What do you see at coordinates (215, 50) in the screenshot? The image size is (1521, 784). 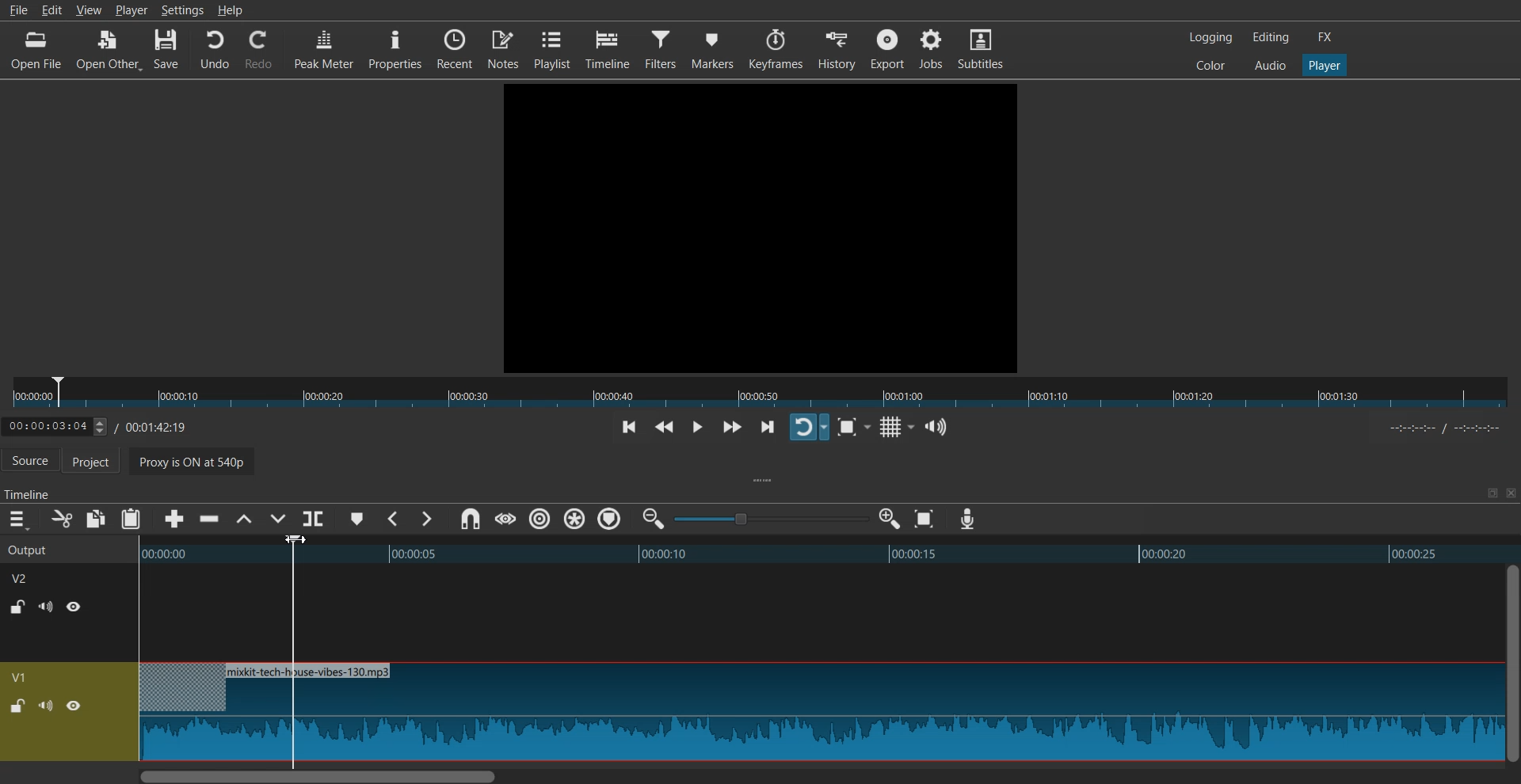 I see `Undo` at bounding box center [215, 50].